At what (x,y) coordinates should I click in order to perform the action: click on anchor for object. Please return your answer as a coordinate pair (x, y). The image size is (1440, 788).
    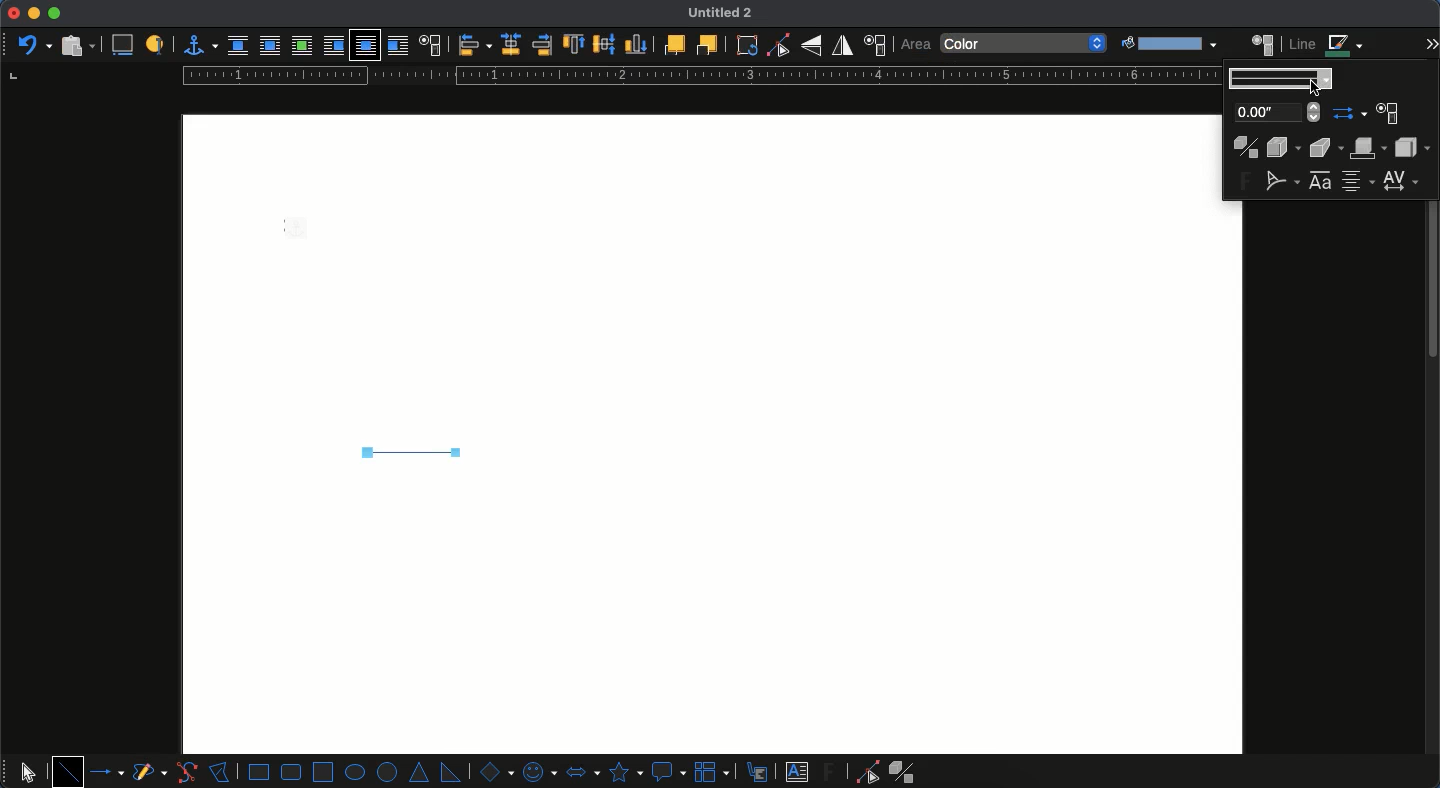
    Looking at the image, I should click on (195, 45).